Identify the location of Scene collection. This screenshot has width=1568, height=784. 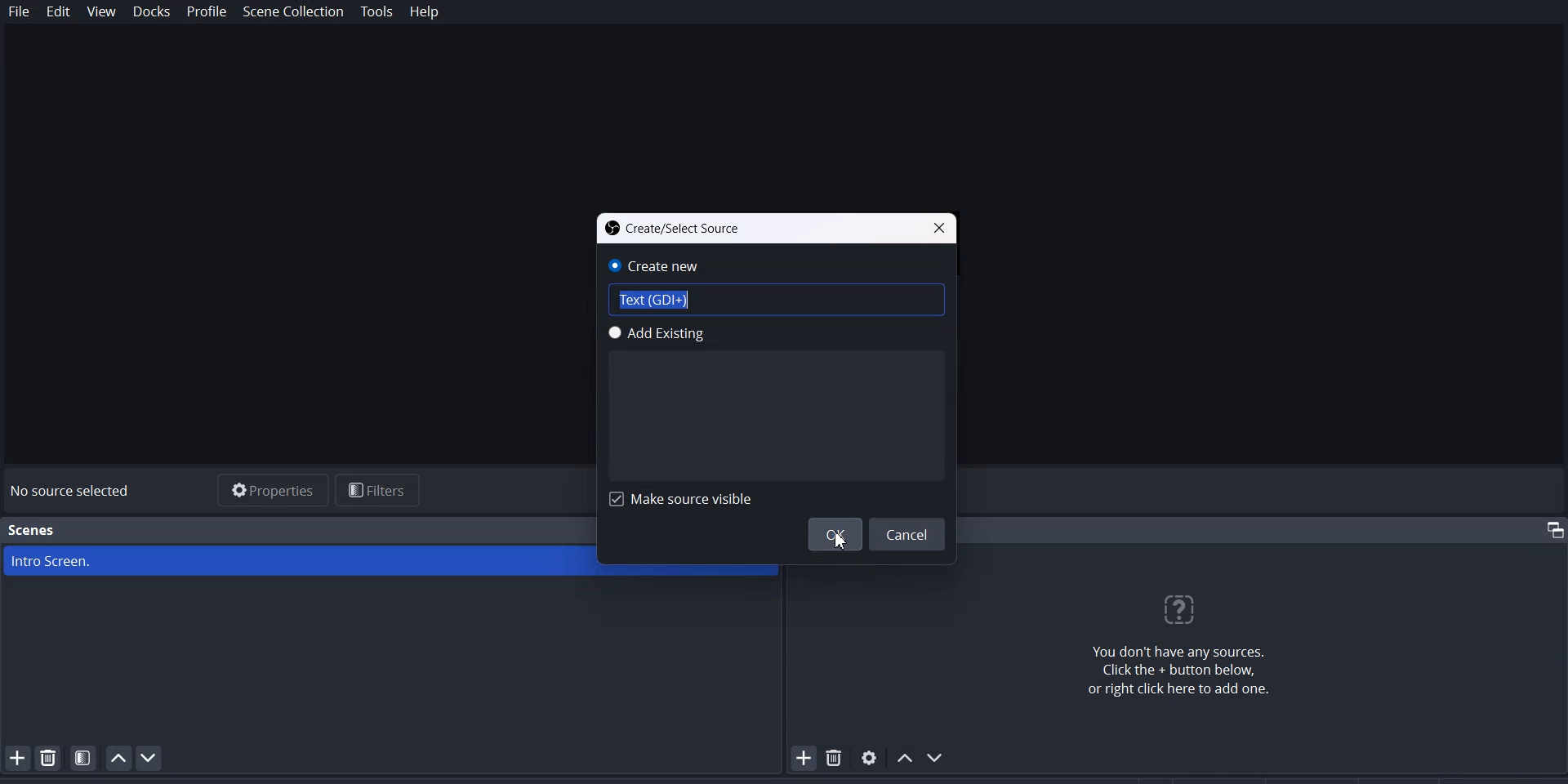
(295, 12).